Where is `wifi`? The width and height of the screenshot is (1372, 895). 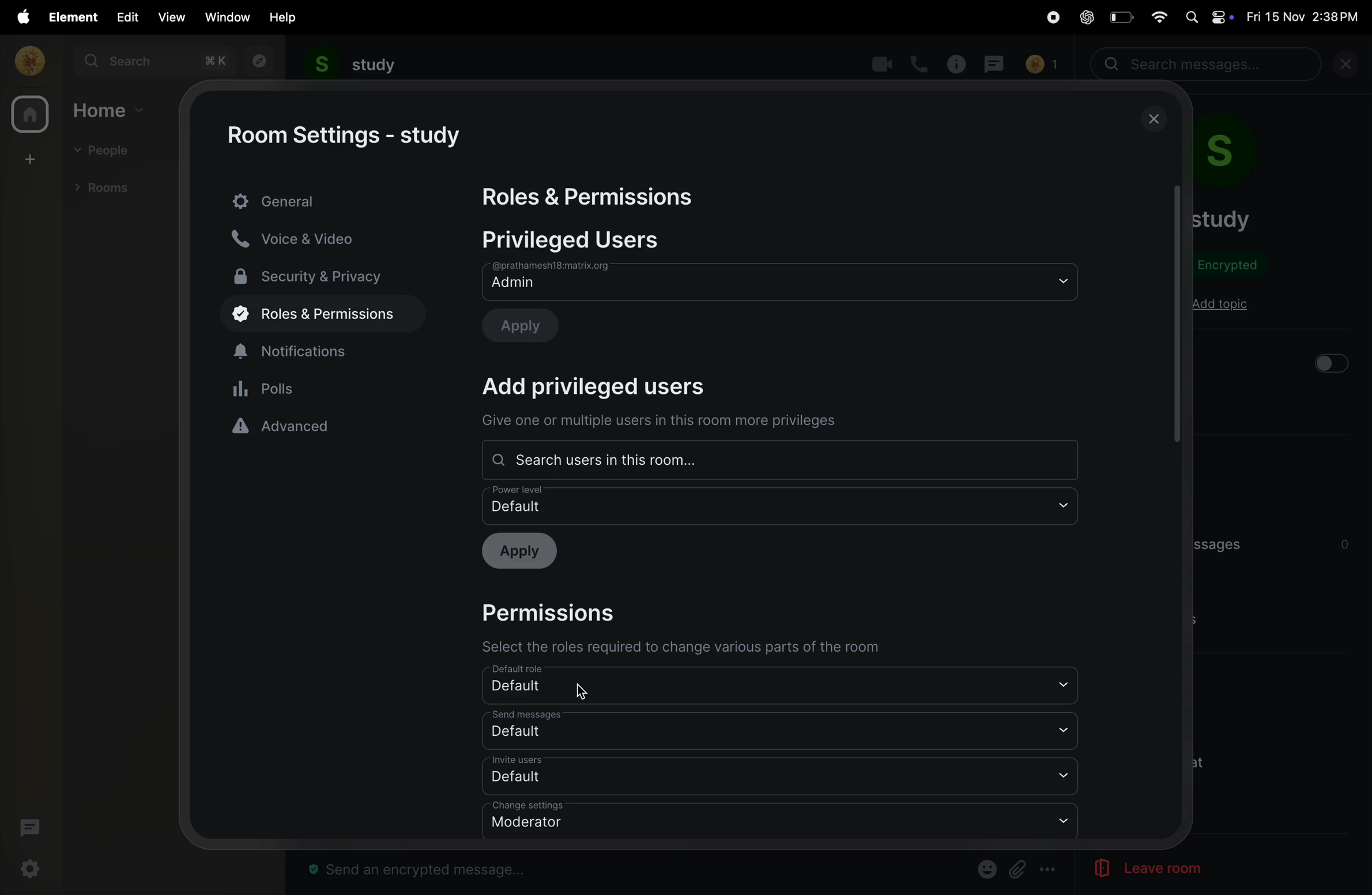
wifi is located at coordinates (1155, 16).